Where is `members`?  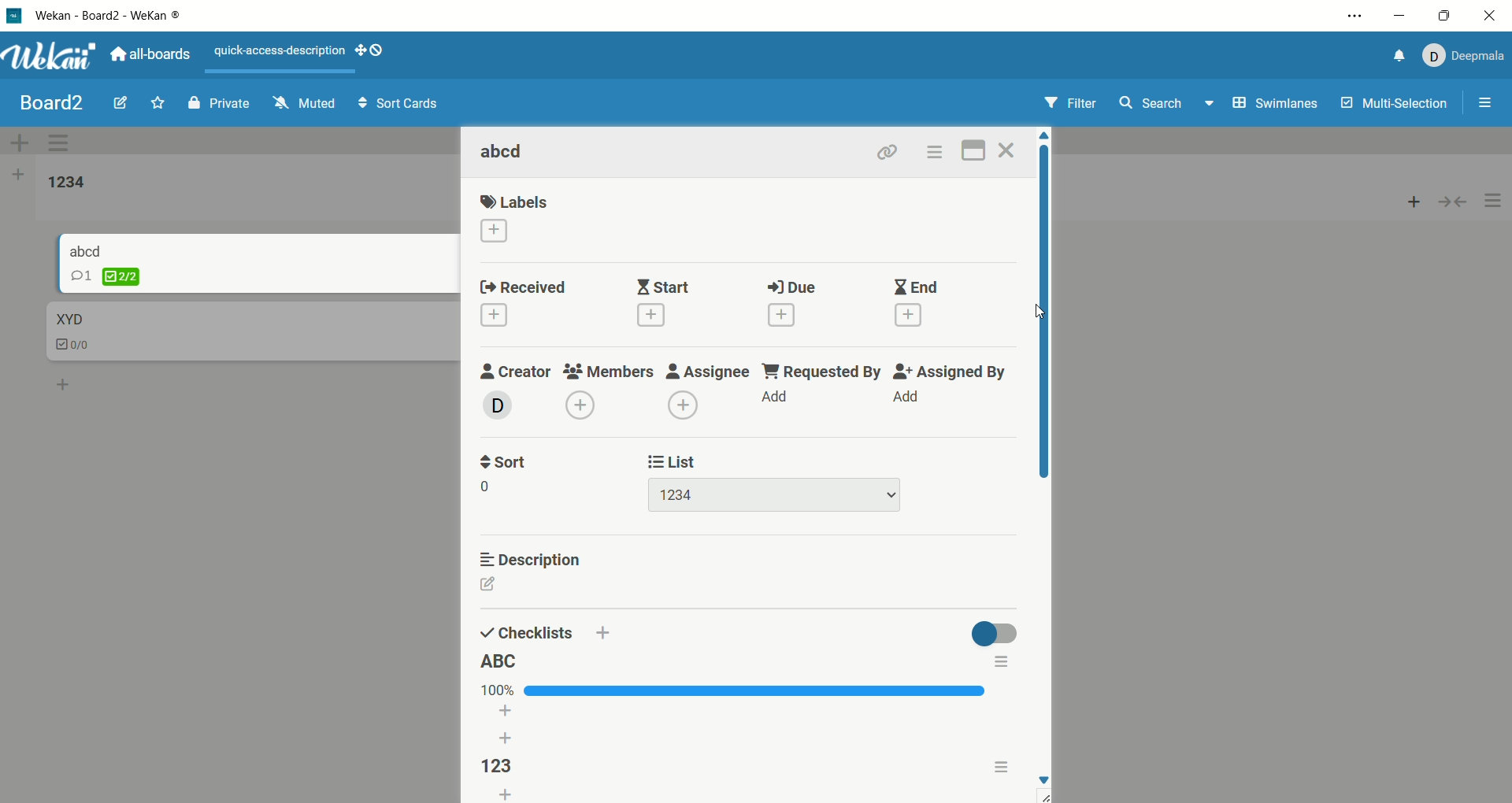 members is located at coordinates (610, 371).